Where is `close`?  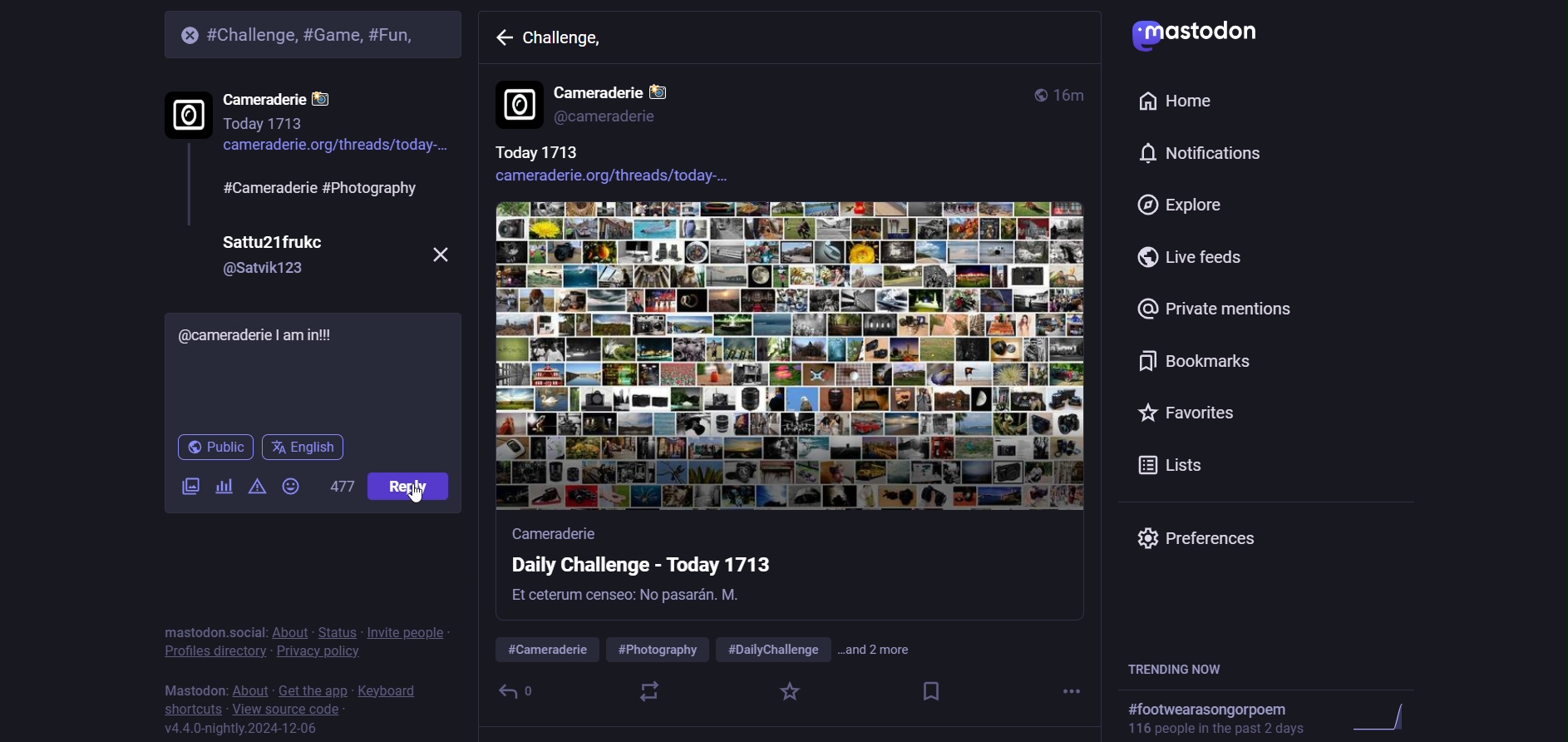 close is located at coordinates (185, 35).